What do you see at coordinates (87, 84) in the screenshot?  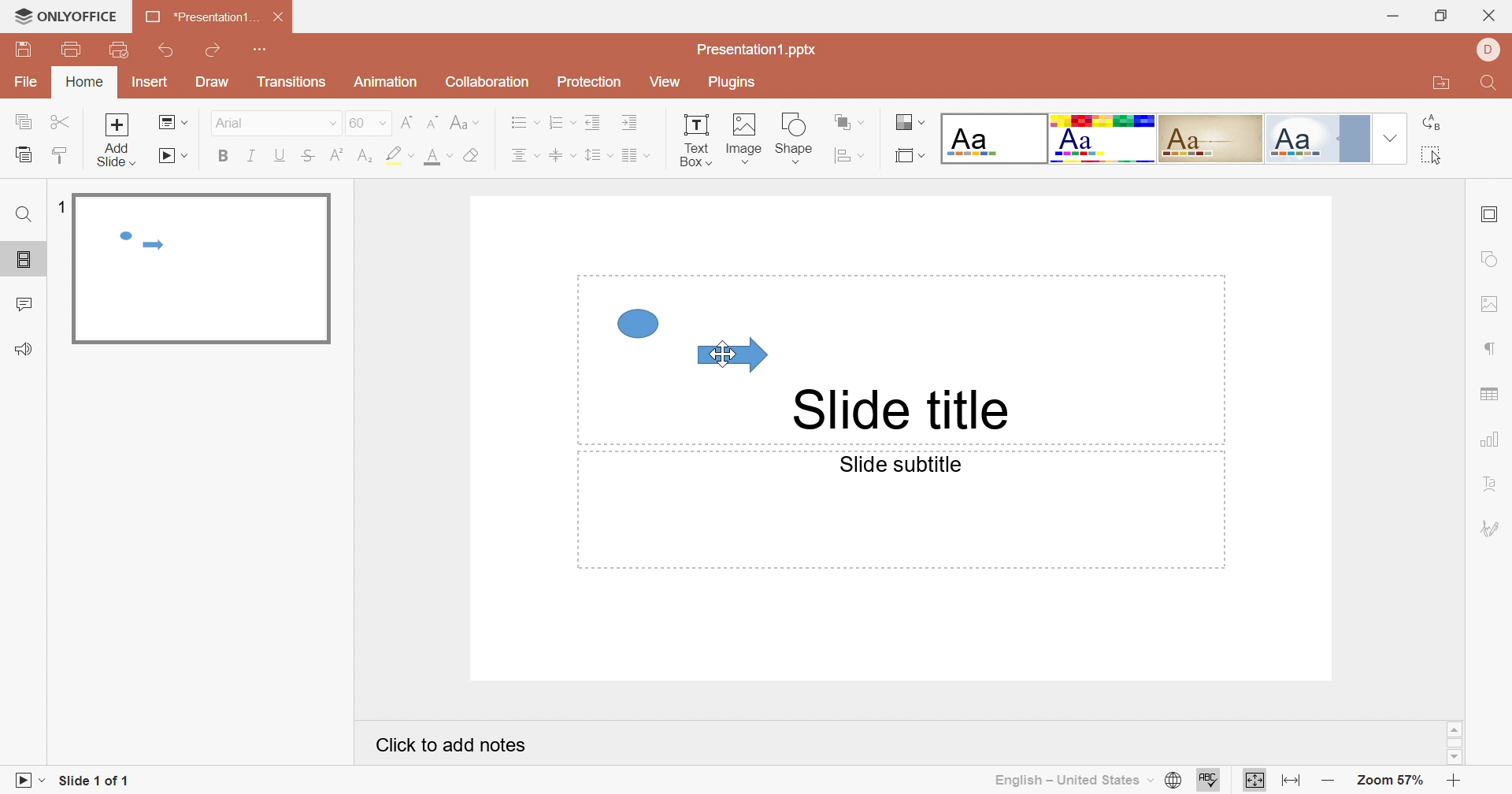 I see `Home` at bounding box center [87, 84].